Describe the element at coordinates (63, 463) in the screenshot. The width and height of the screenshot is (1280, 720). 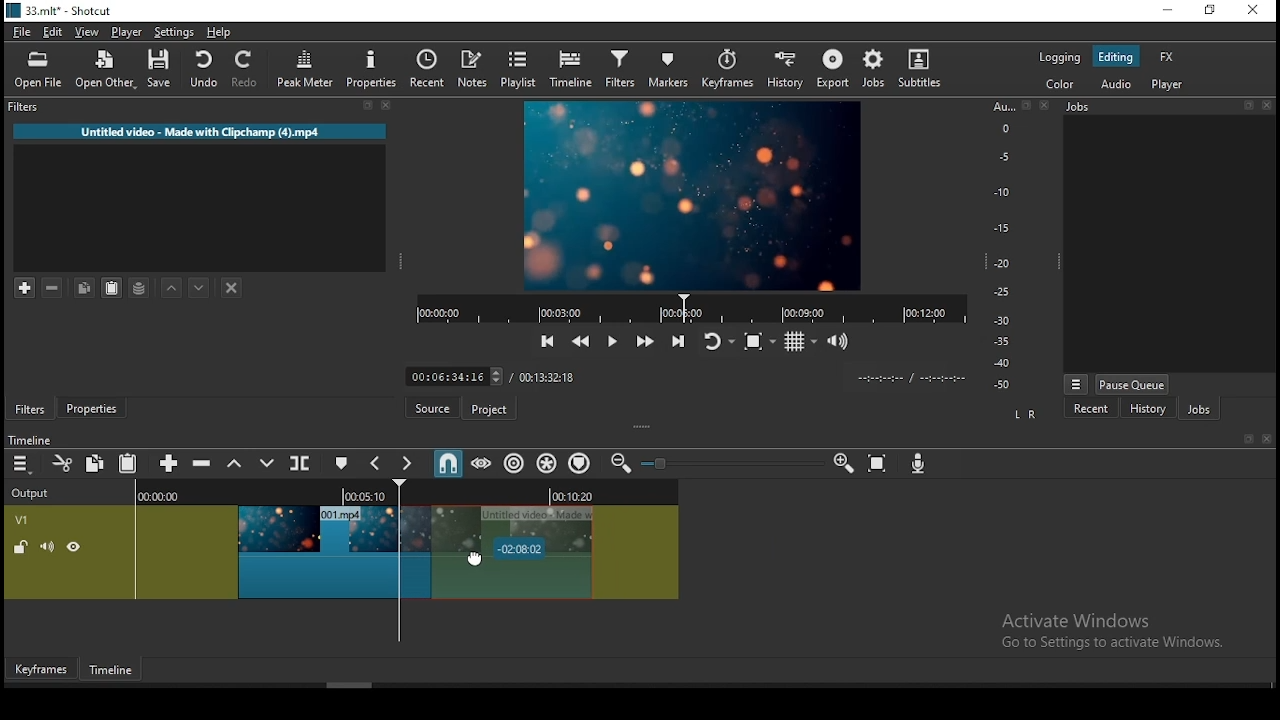
I see `cut` at that location.